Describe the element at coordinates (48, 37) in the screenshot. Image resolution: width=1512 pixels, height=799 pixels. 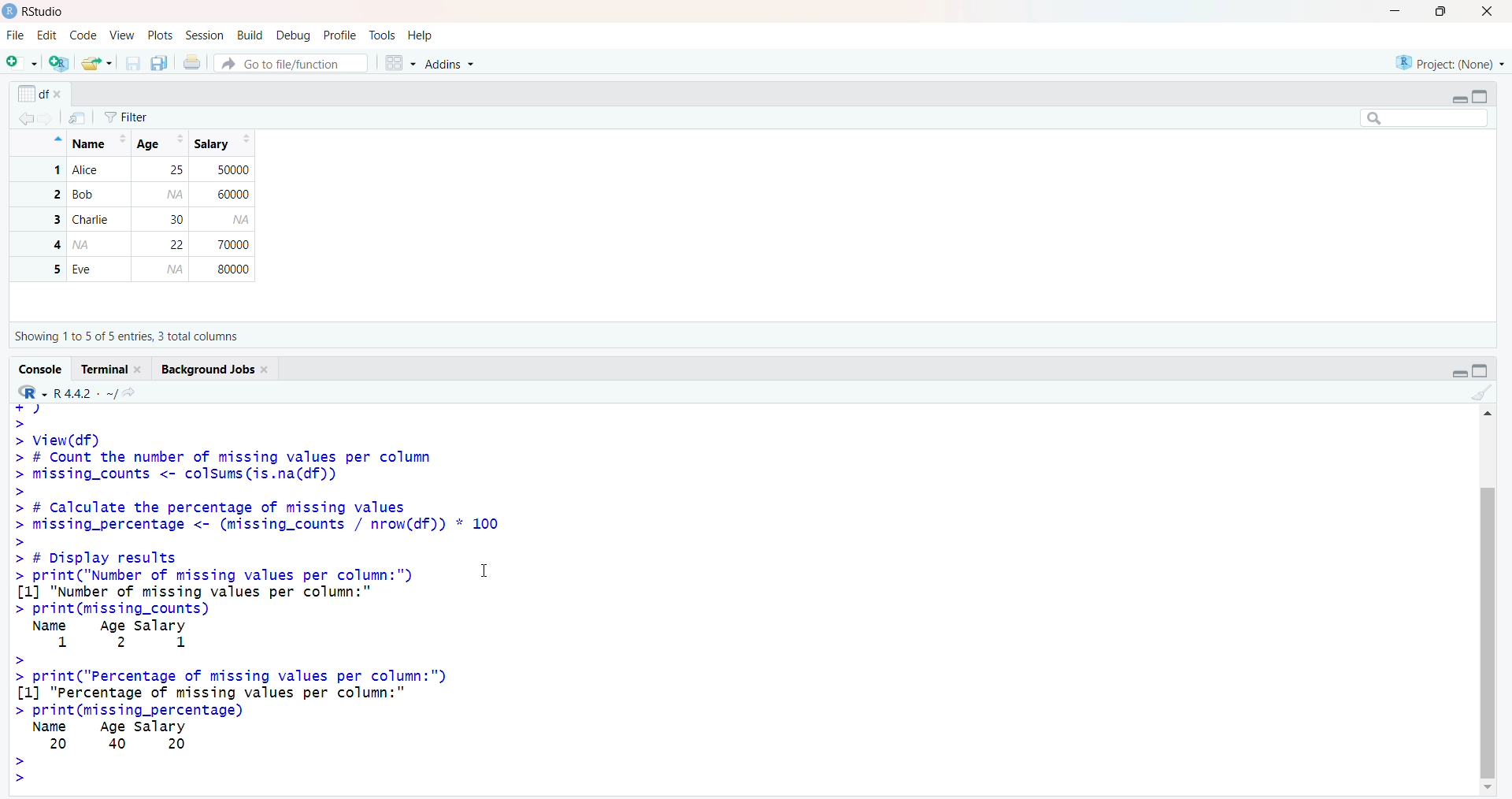
I see `Edit` at that location.